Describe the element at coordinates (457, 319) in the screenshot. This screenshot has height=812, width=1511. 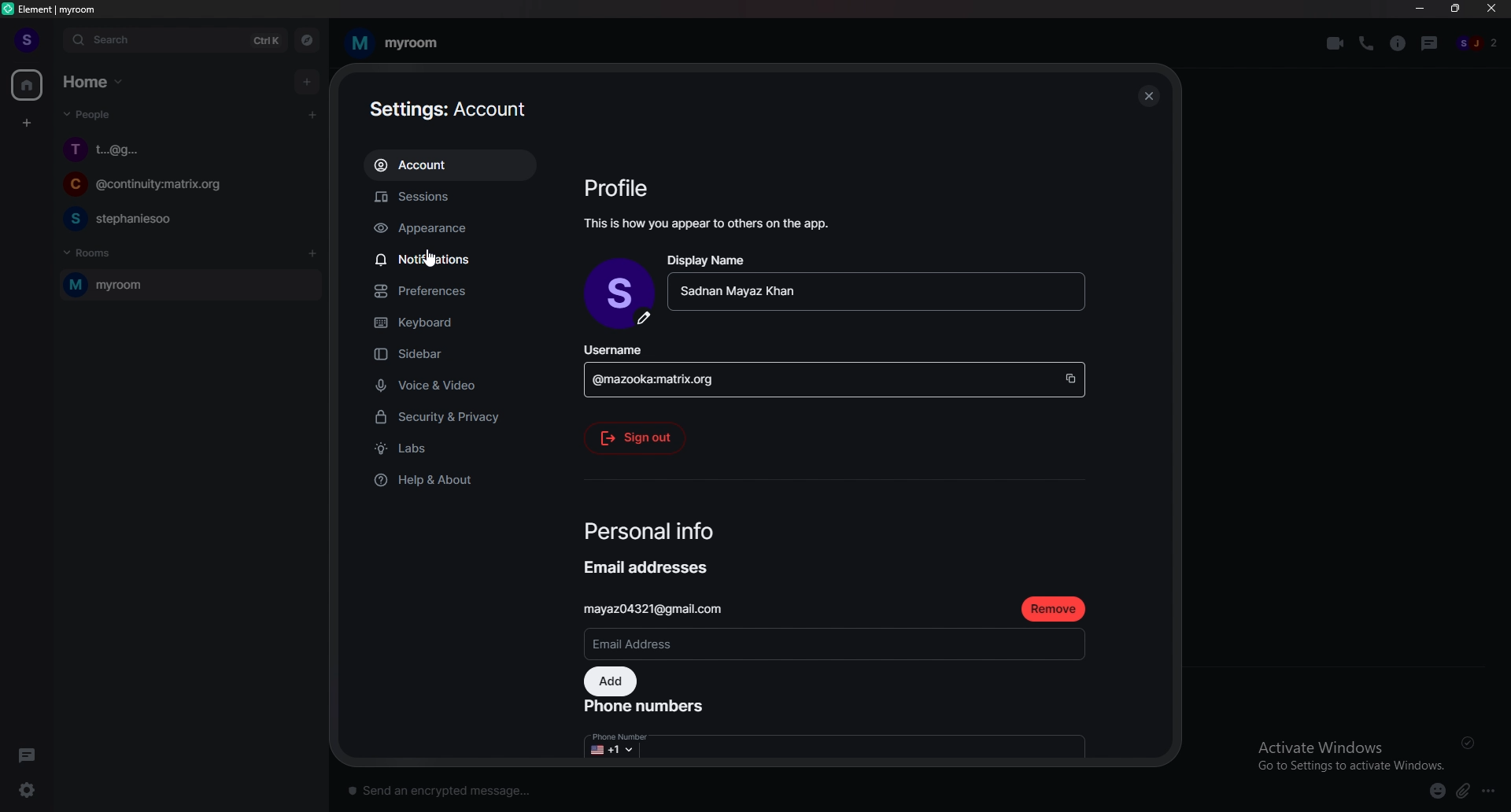
I see `keyboard` at that location.